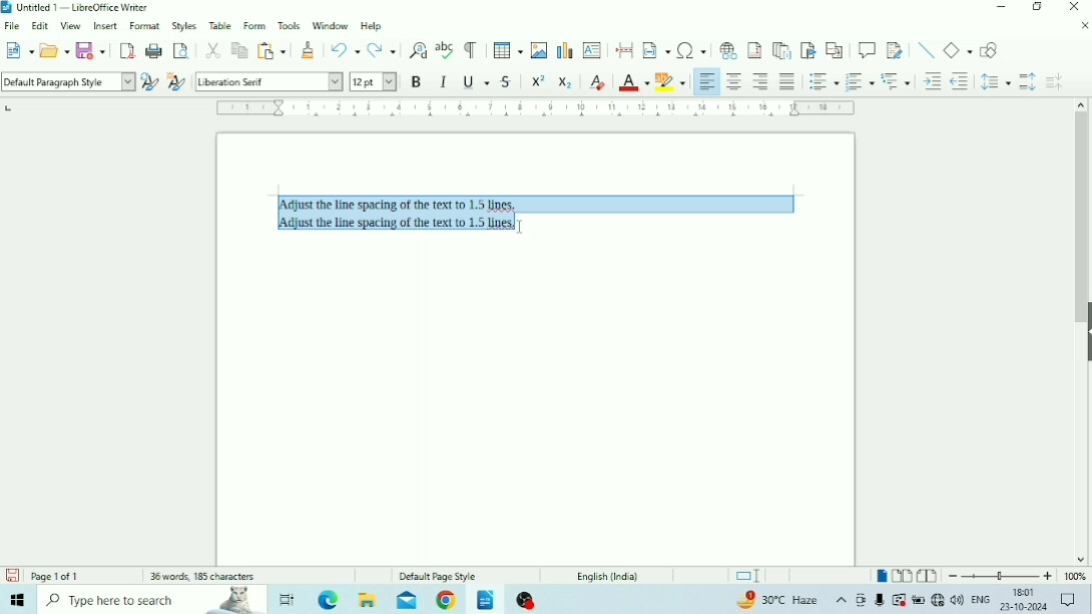 The image size is (1092, 614). What do you see at coordinates (83, 7) in the screenshot?
I see `Title` at bounding box center [83, 7].